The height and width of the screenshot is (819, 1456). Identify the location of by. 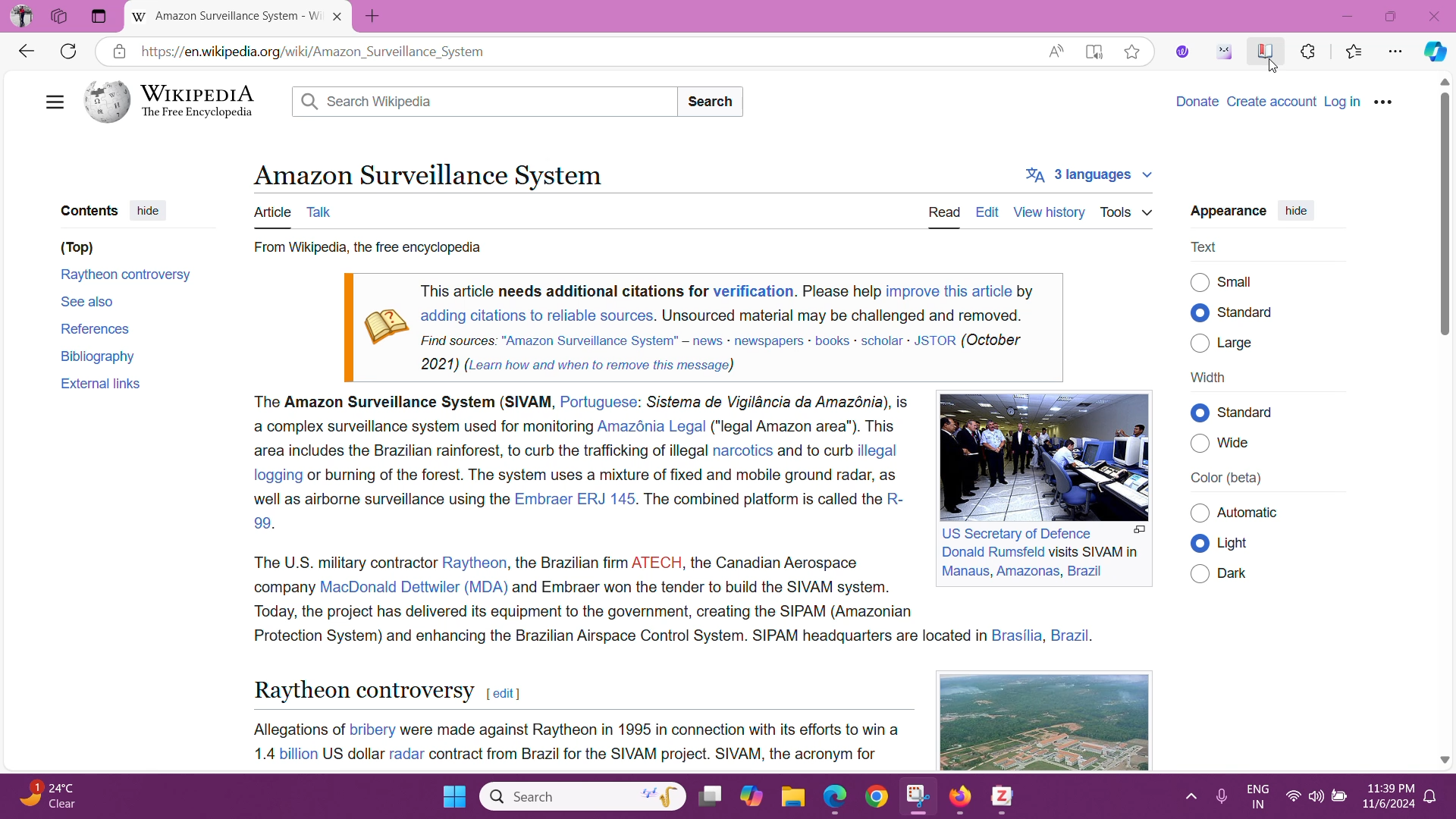
(1026, 289).